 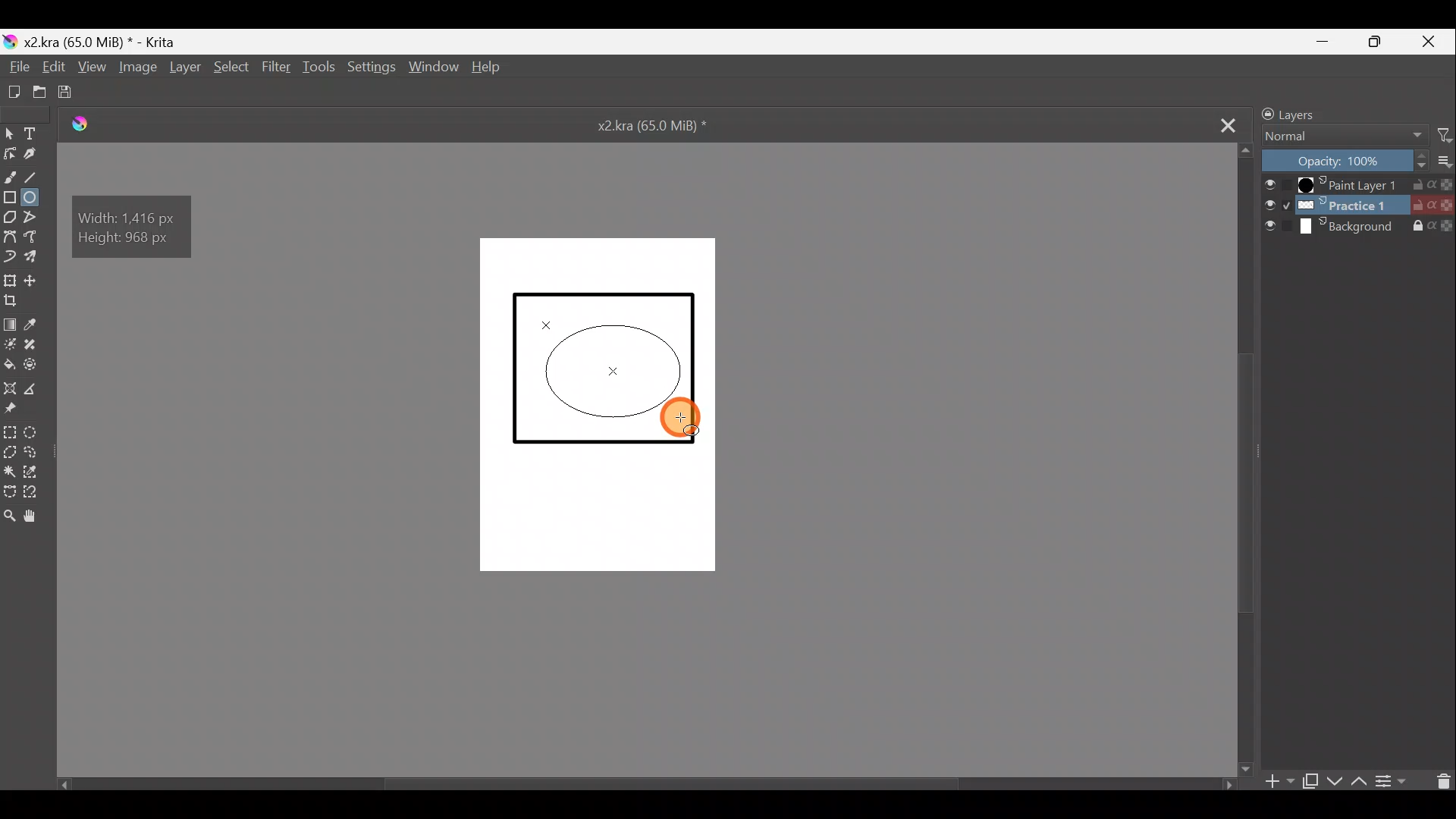 I want to click on View/change layer properties, so click(x=1396, y=783).